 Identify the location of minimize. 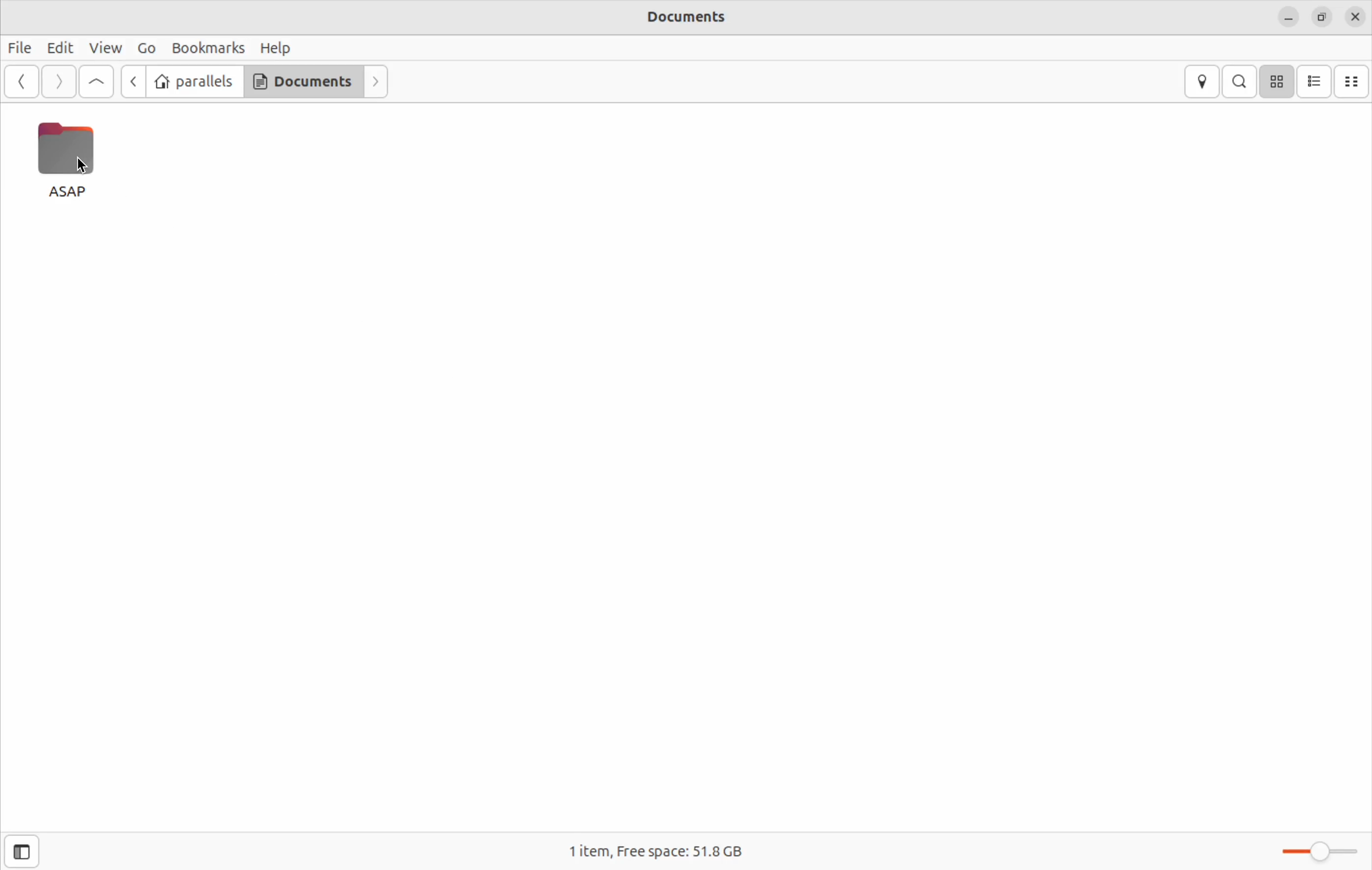
(1288, 18).